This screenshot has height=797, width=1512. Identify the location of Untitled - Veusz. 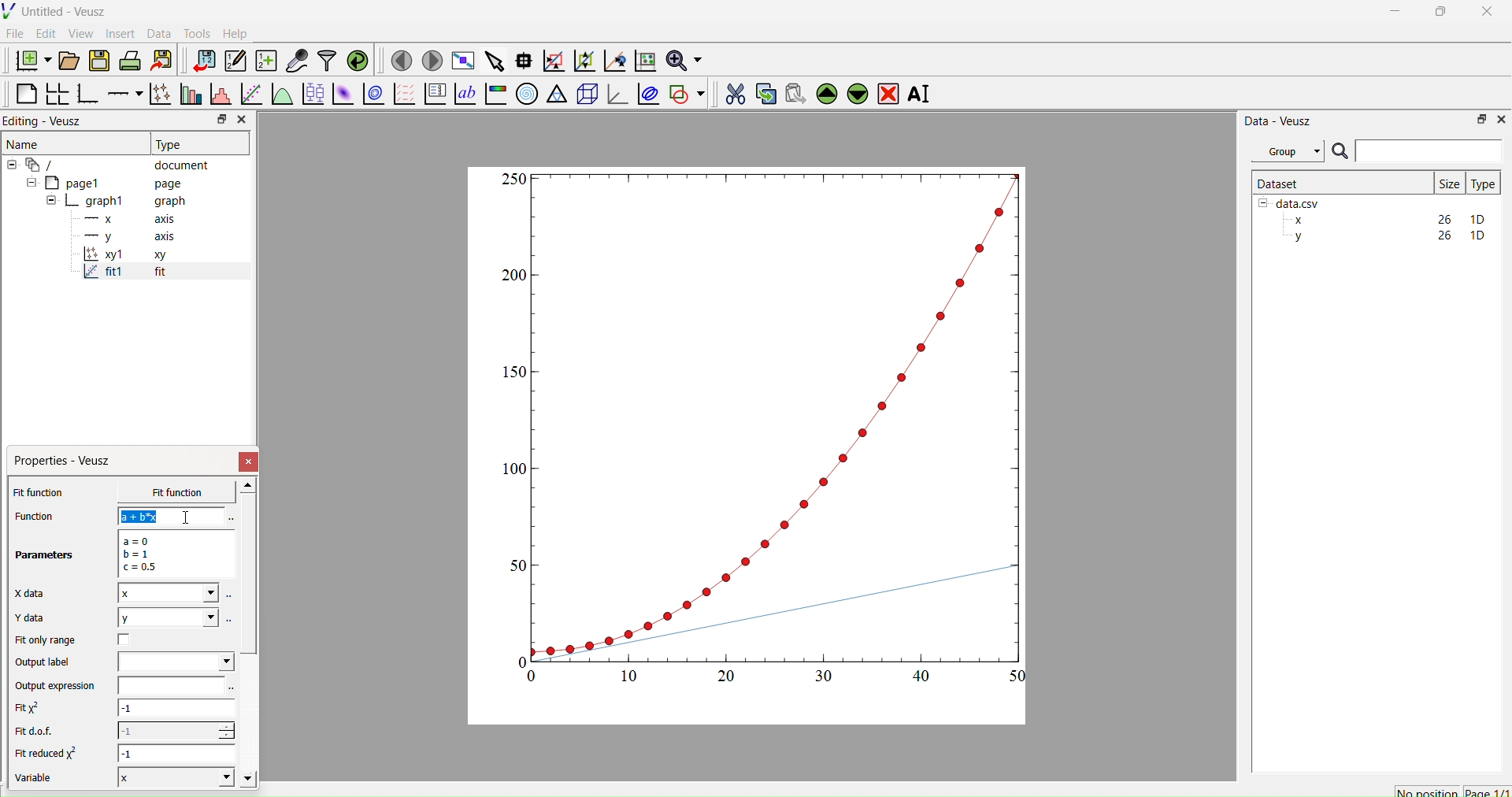
(57, 11).